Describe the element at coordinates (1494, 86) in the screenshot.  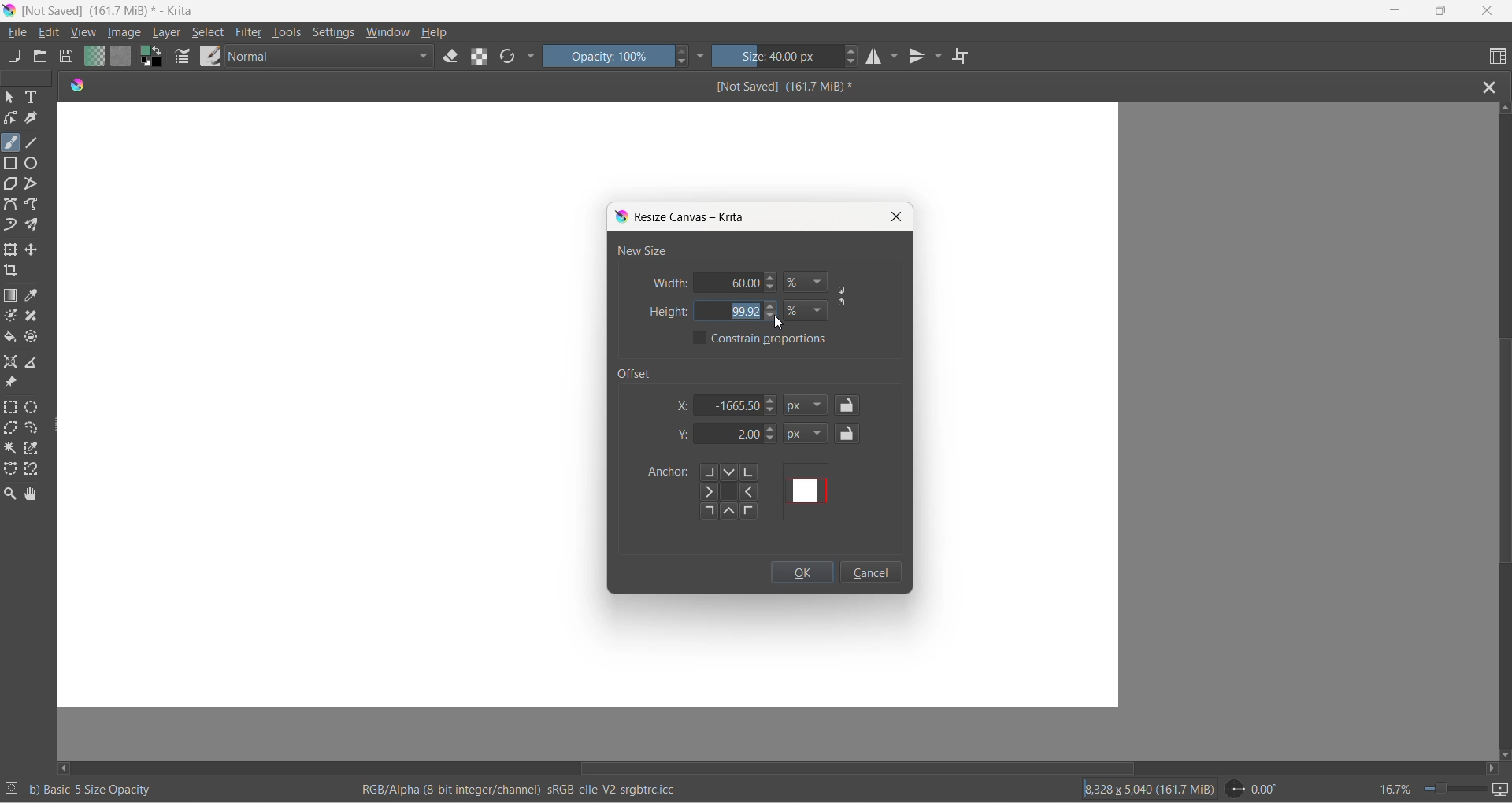
I see `close file` at that location.